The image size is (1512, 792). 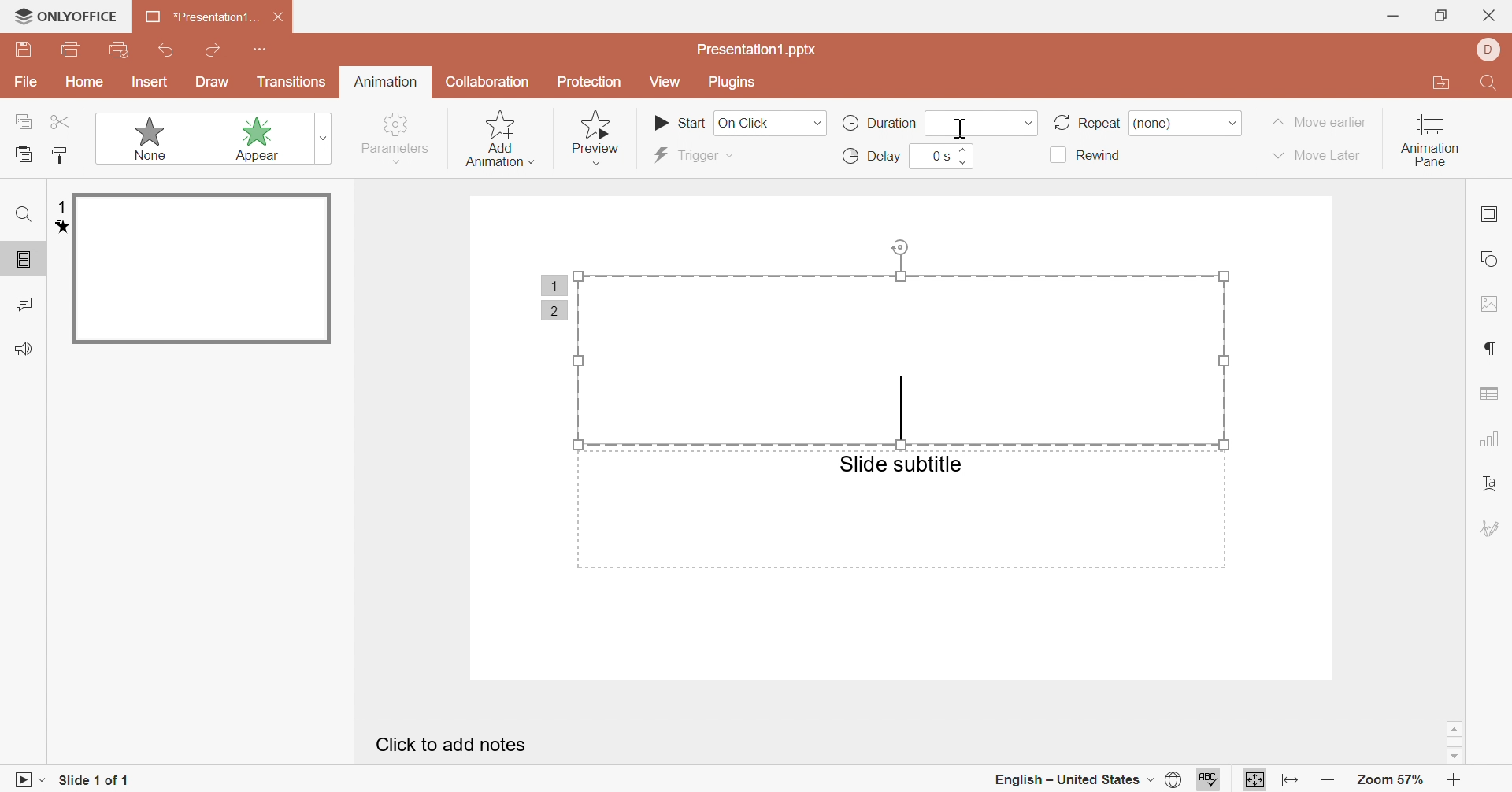 What do you see at coordinates (27, 82) in the screenshot?
I see `File` at bounding box center [27, 82].